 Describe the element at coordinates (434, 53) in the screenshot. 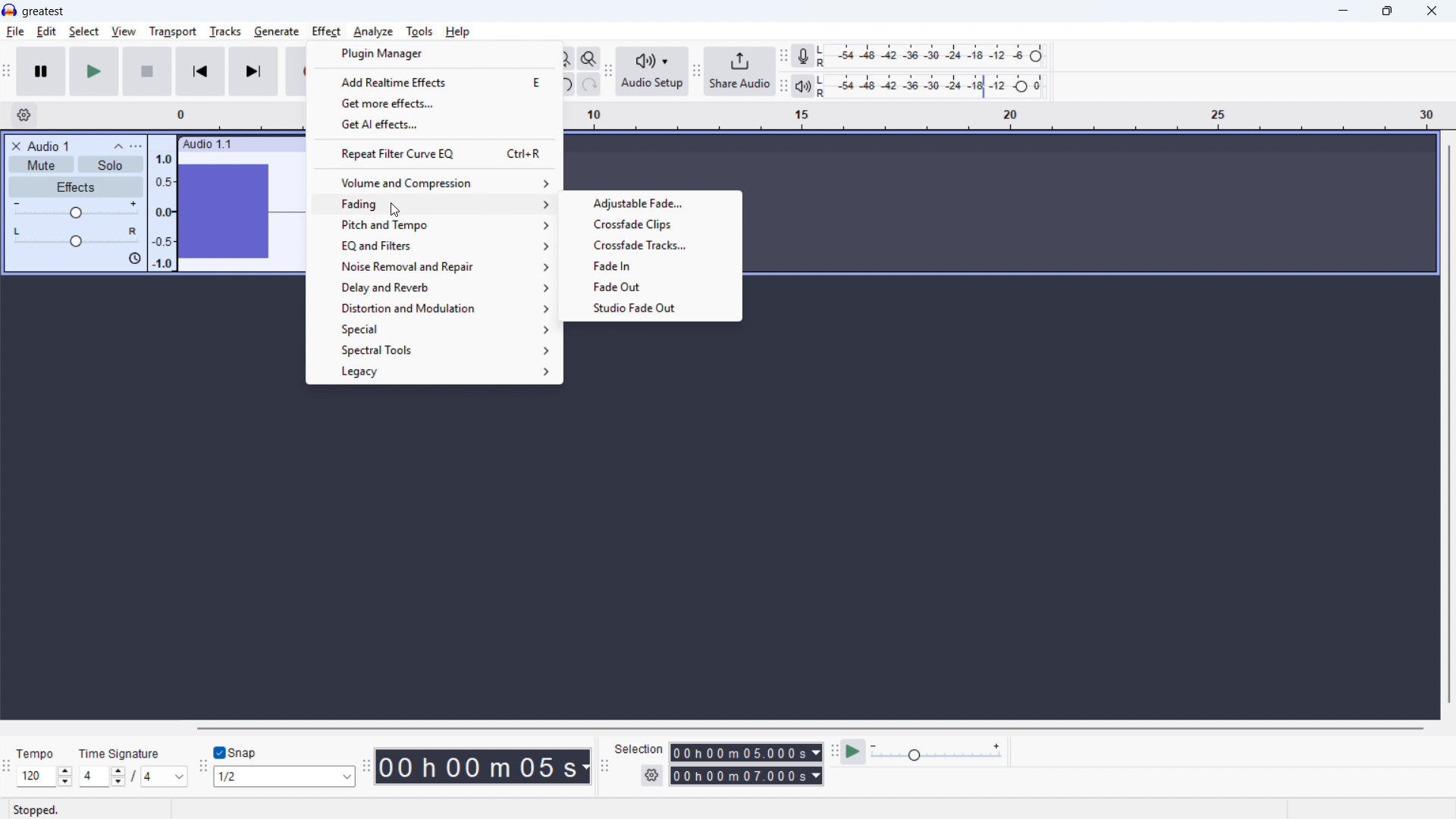

I see `Plug in manager ` at that location.